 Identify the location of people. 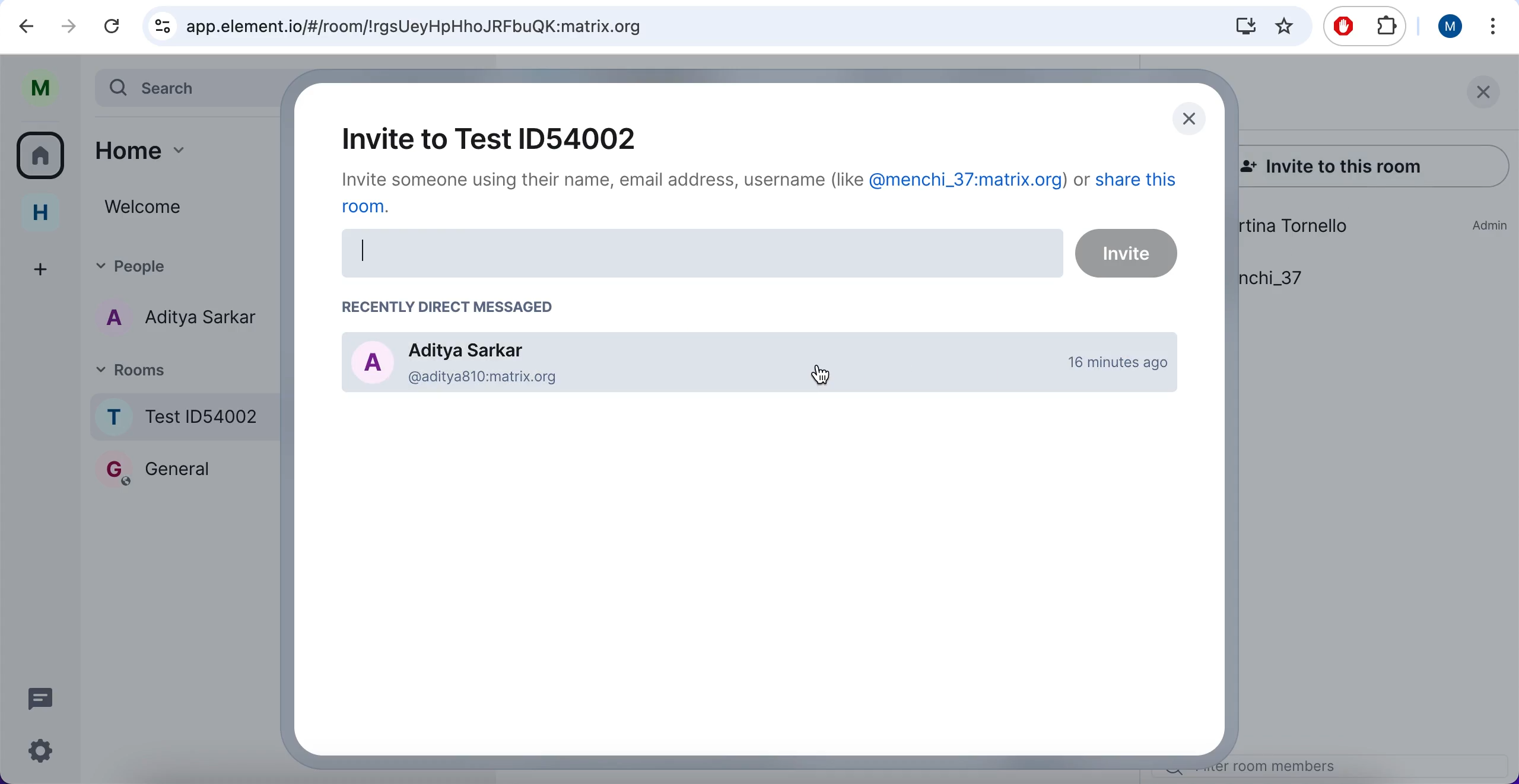
(184, 261).